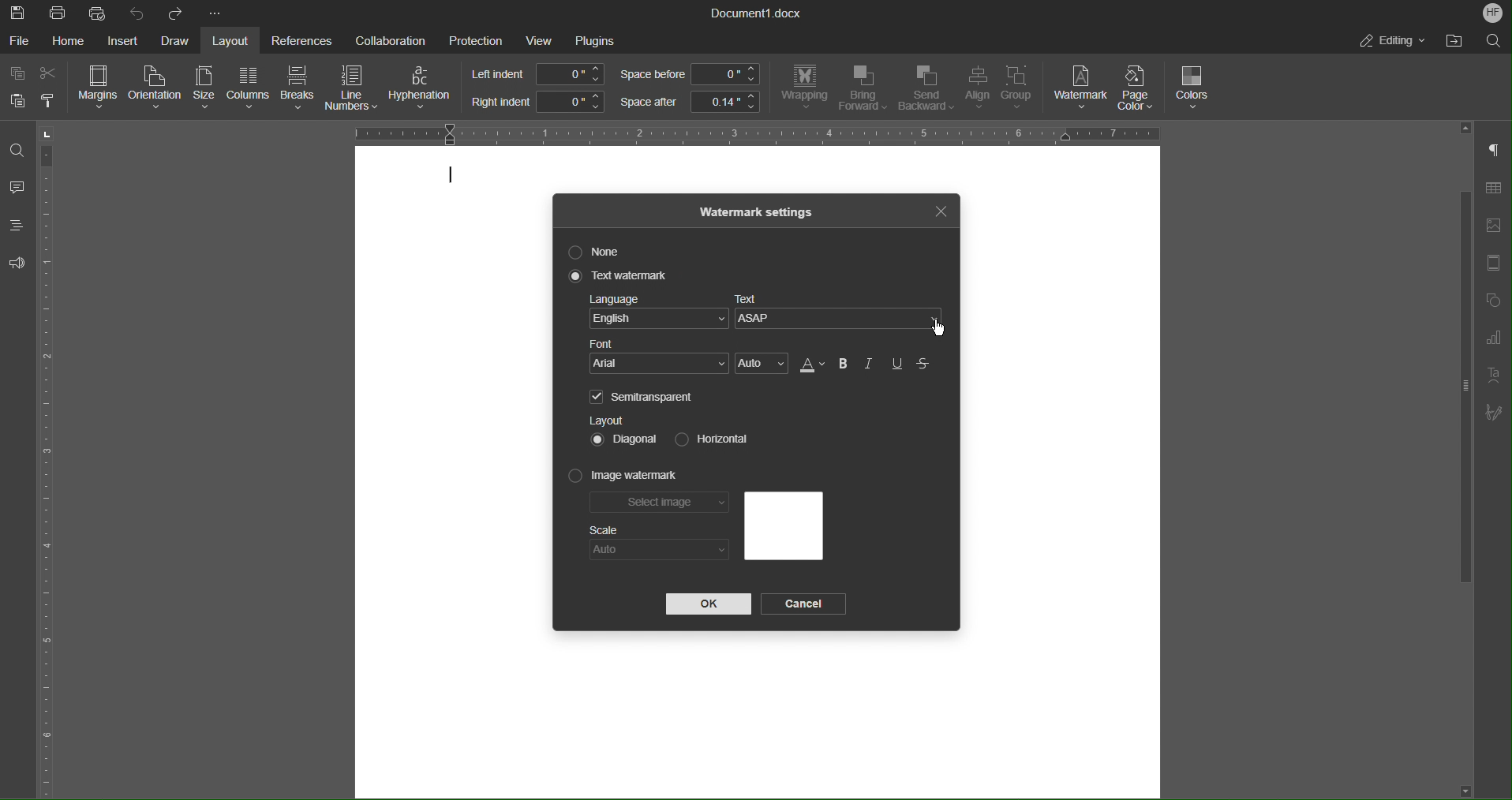 The height and width of the screenshot is (800, 1512). What do you see at coordinates (1391, 40) in the screenshot?
I see `Editing` at bounding box center [1391, 40].